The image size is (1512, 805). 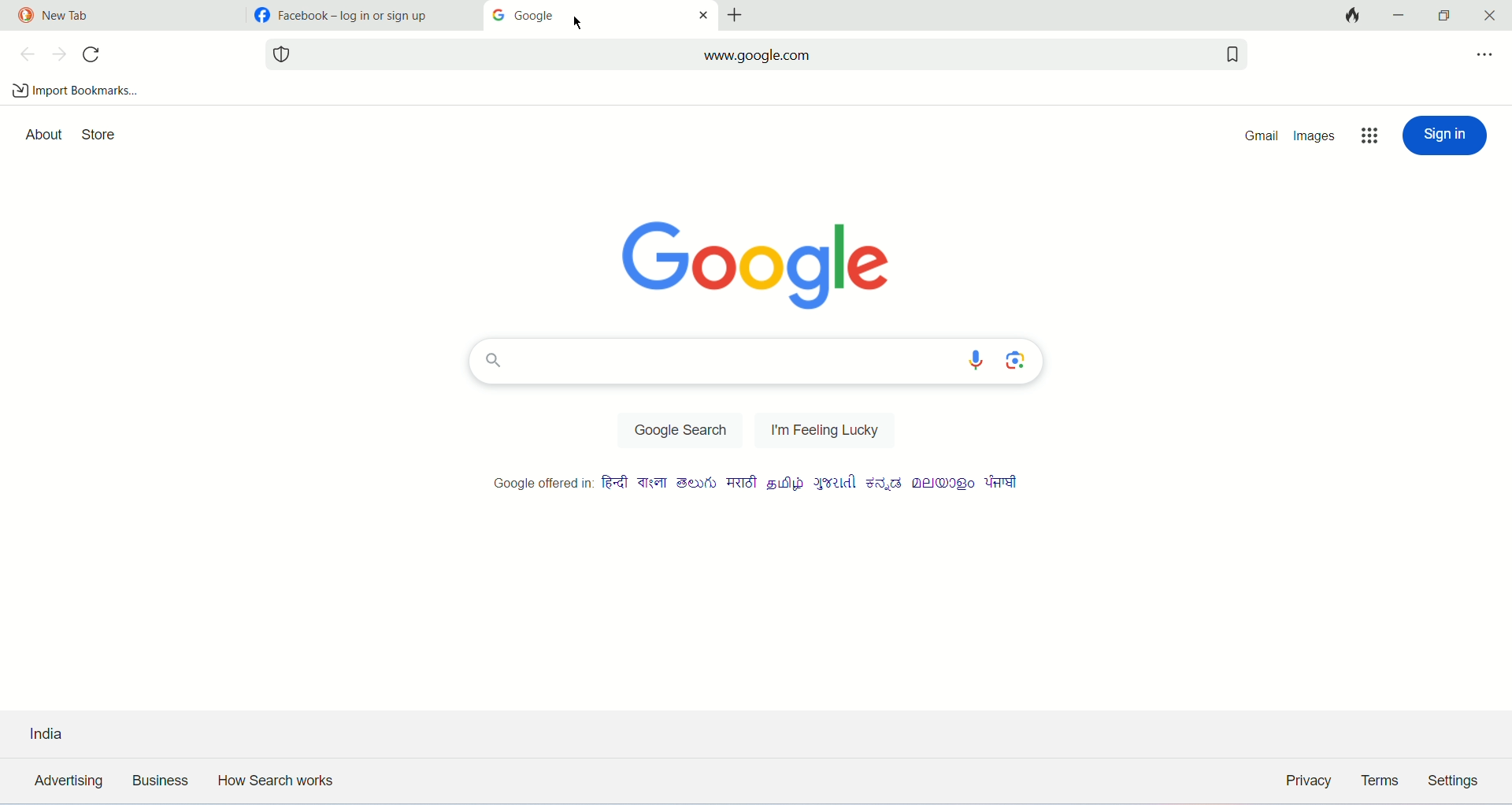 I want to click on I'm feeling Lucky, so click(x=821, y=432).